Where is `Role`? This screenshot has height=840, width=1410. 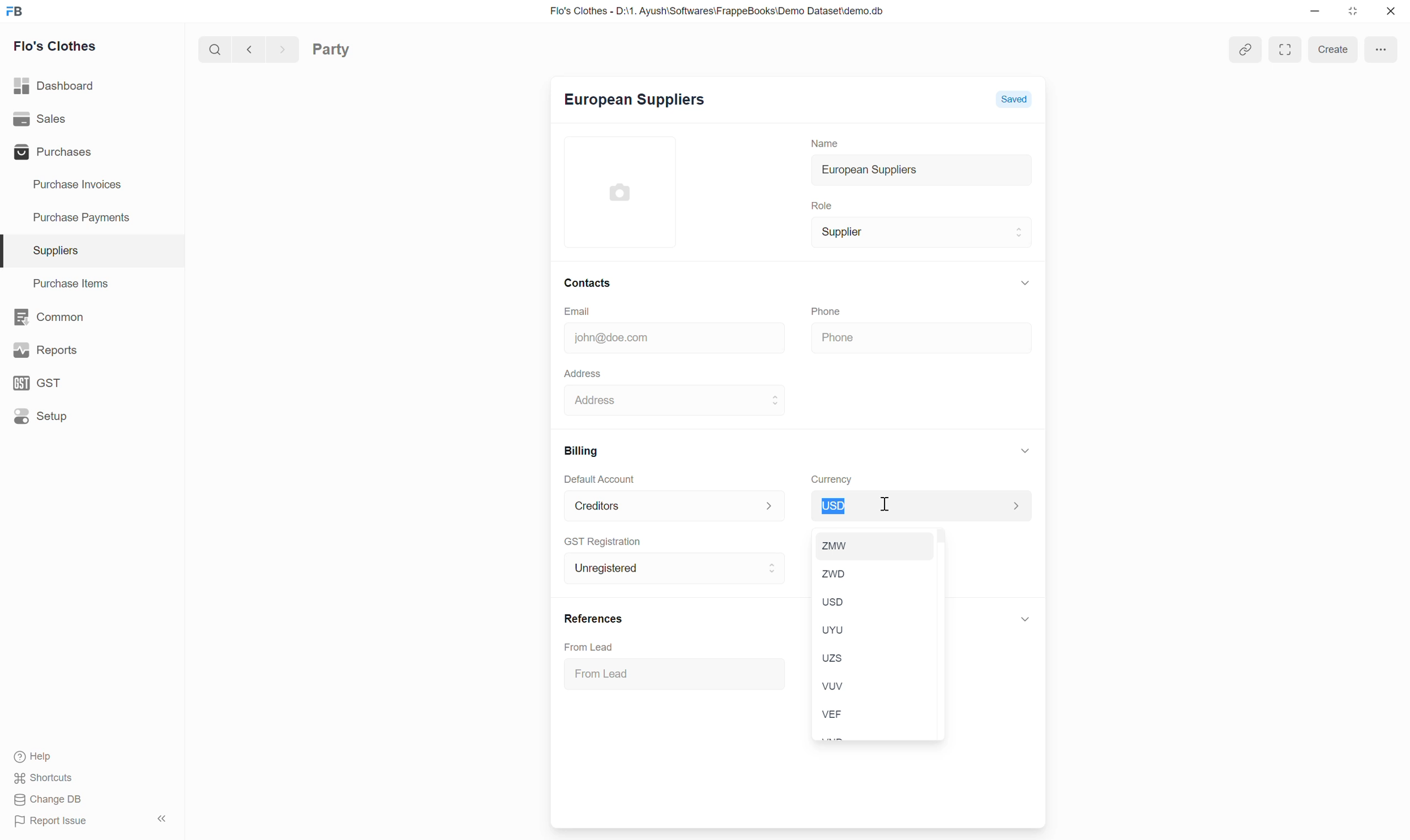 Role is located at coordinates (817, 204).